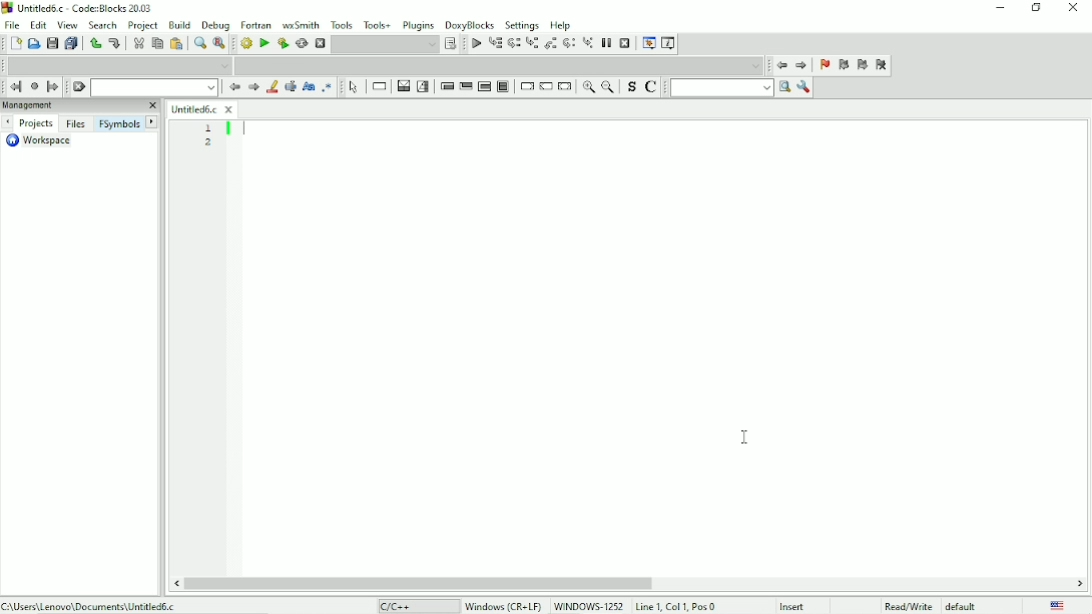 The width and height of the screenshot is (1092, 614). What do you see at coordinates (234, 88) in the screenshot?
I see `Prev` at bounding box center [234, 88].